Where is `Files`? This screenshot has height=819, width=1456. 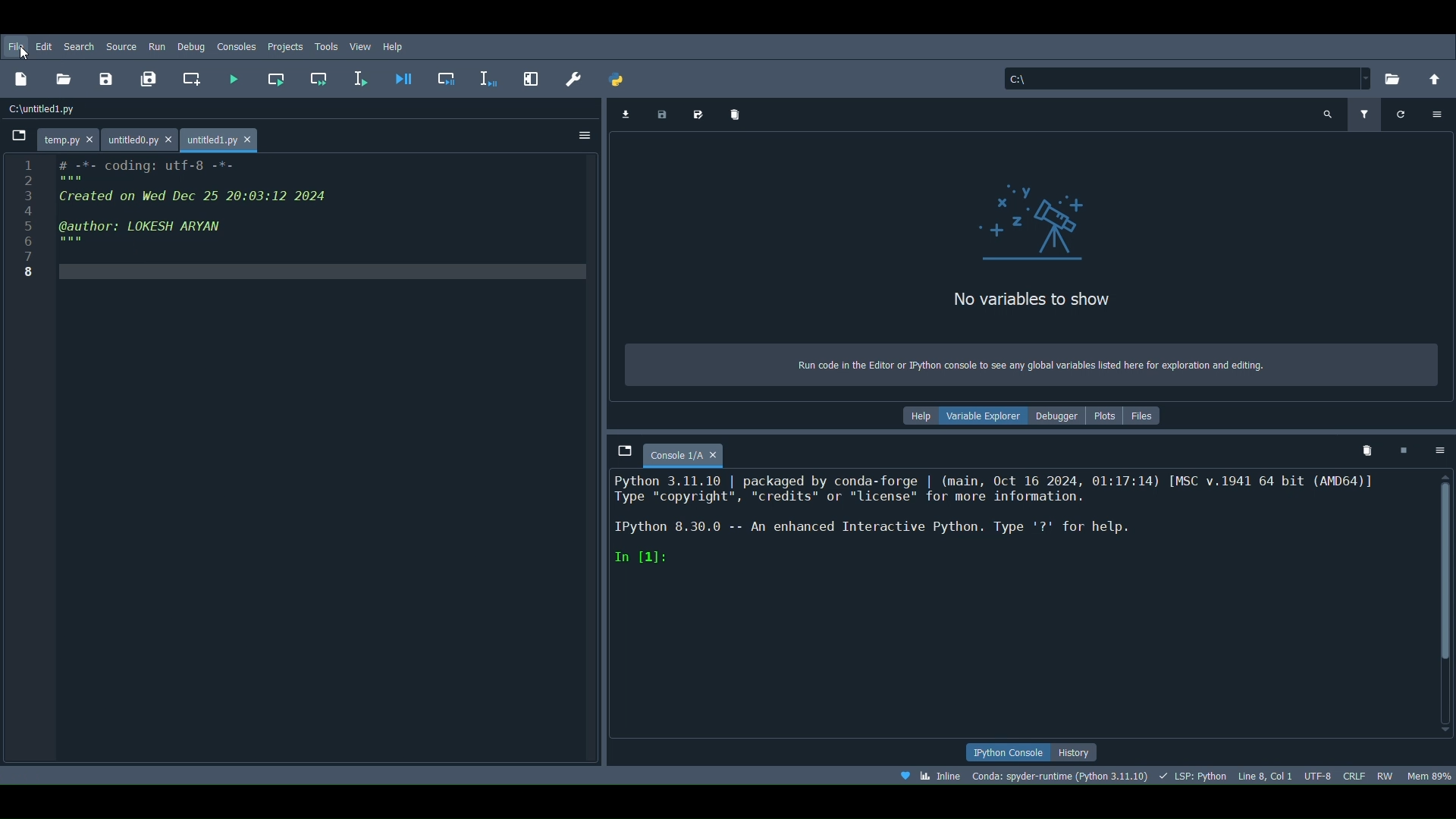
Files is located at coordinates (1147, 414).